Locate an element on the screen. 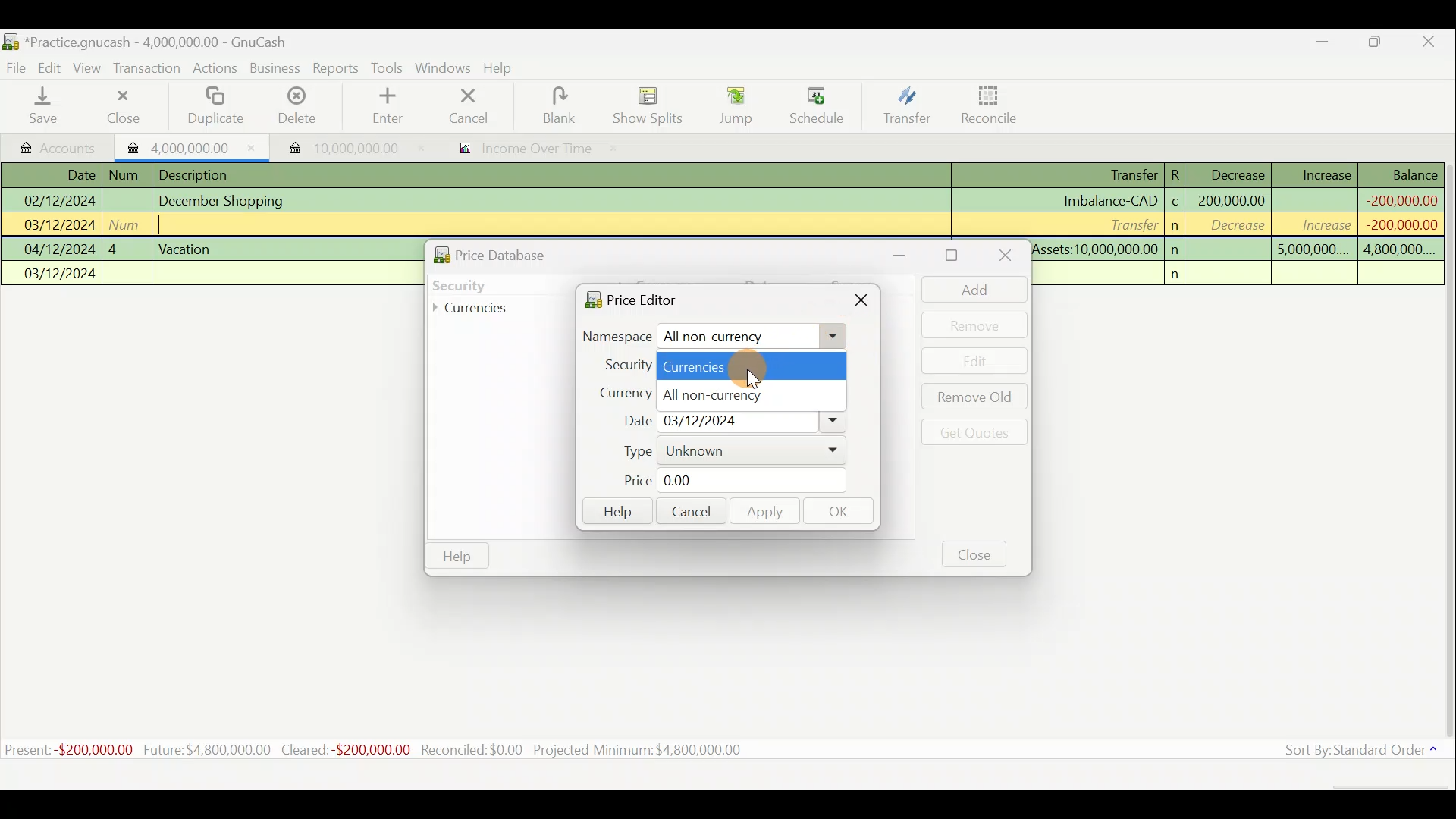 The image size is (1456, 819). Remove is located at coordinates (974, 325).